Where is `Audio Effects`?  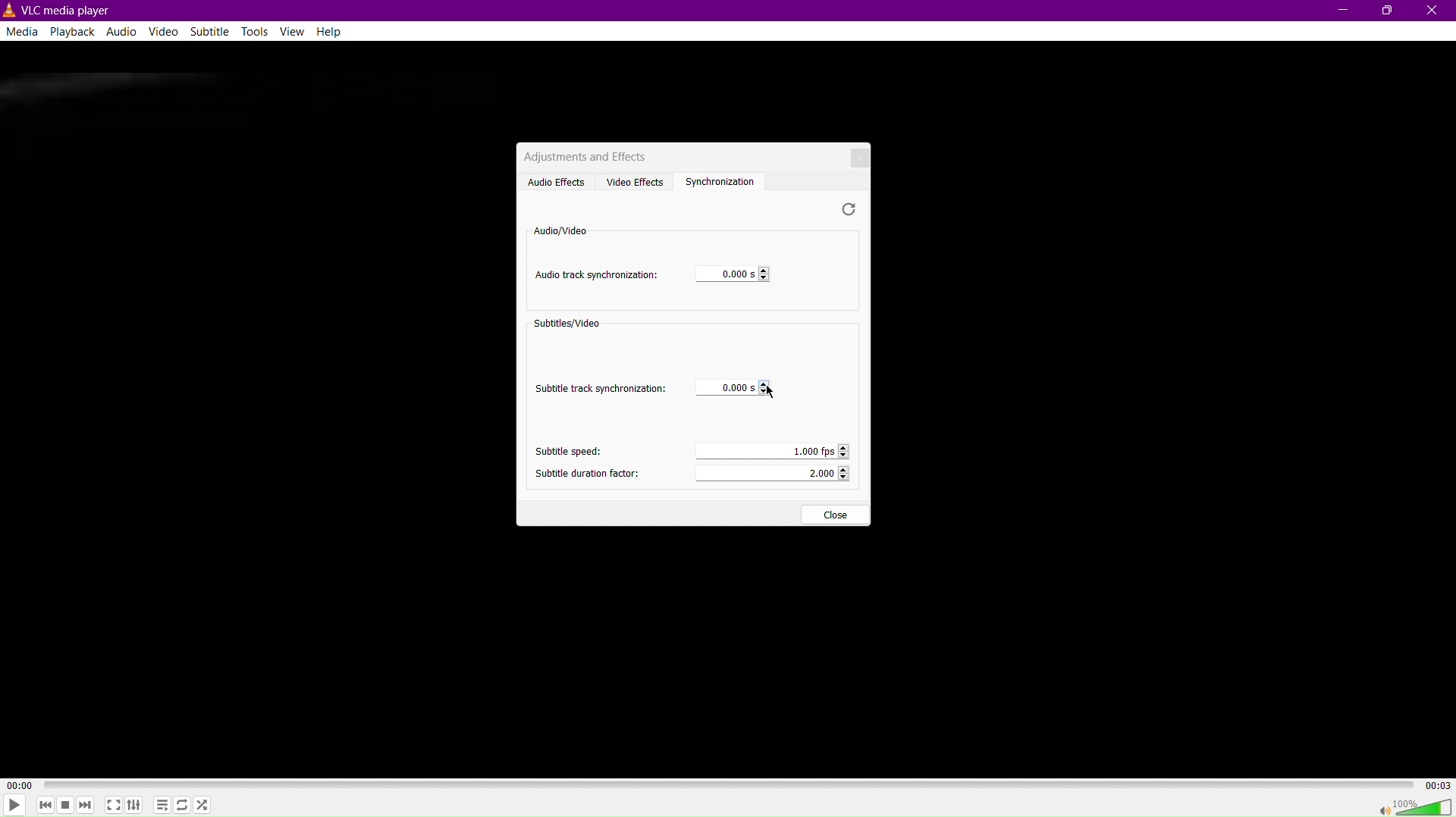 Audio Effects is located at coordinates (553, 181).